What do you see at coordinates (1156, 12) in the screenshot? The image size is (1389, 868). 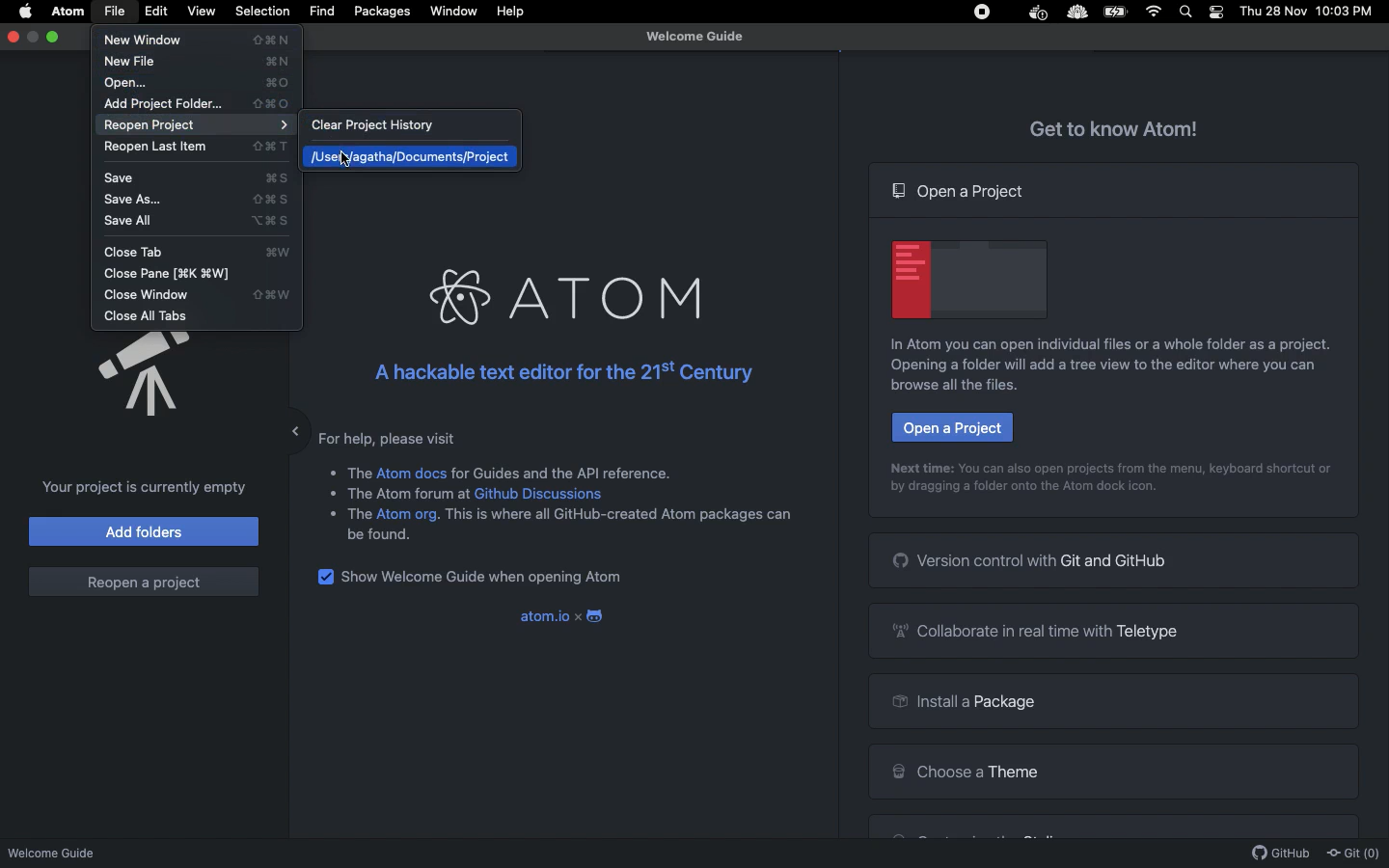 I see `Internet` at bounding box center [1156, 12].